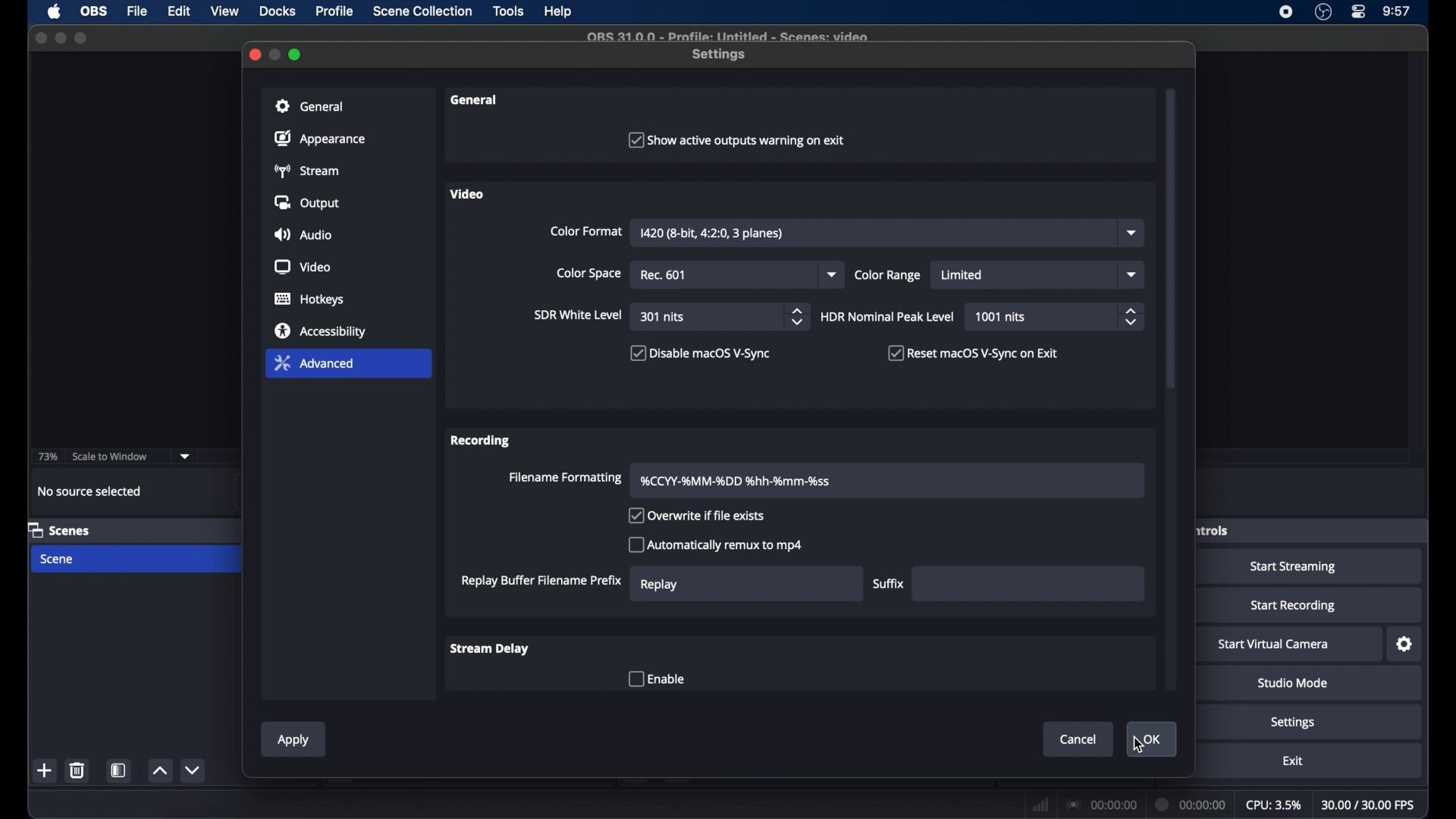 This screenshot has width=1456, height=819. I want to click on connection, so click(1101, 804).